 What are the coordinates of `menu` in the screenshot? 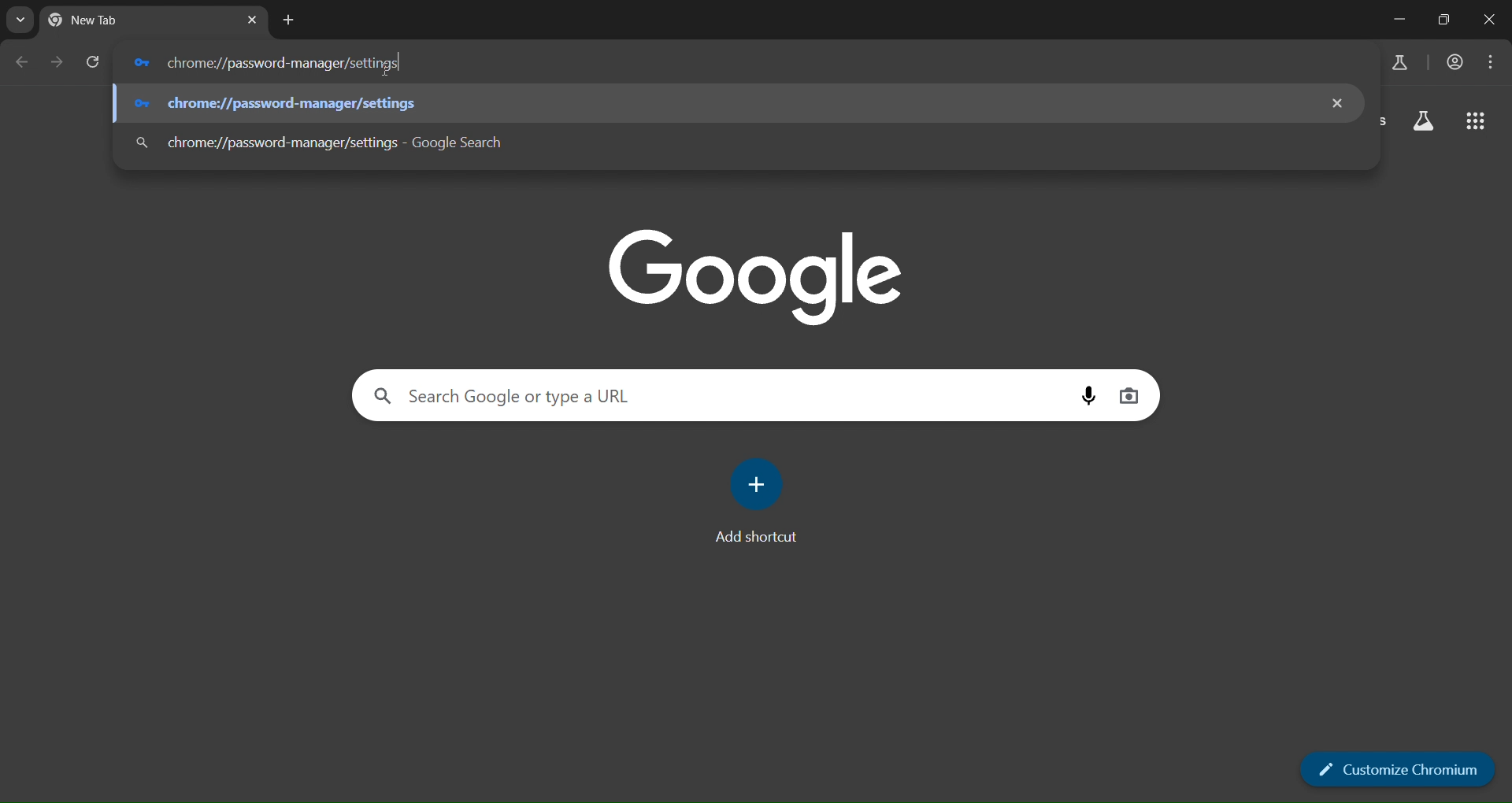 It's located at (1495, 61).